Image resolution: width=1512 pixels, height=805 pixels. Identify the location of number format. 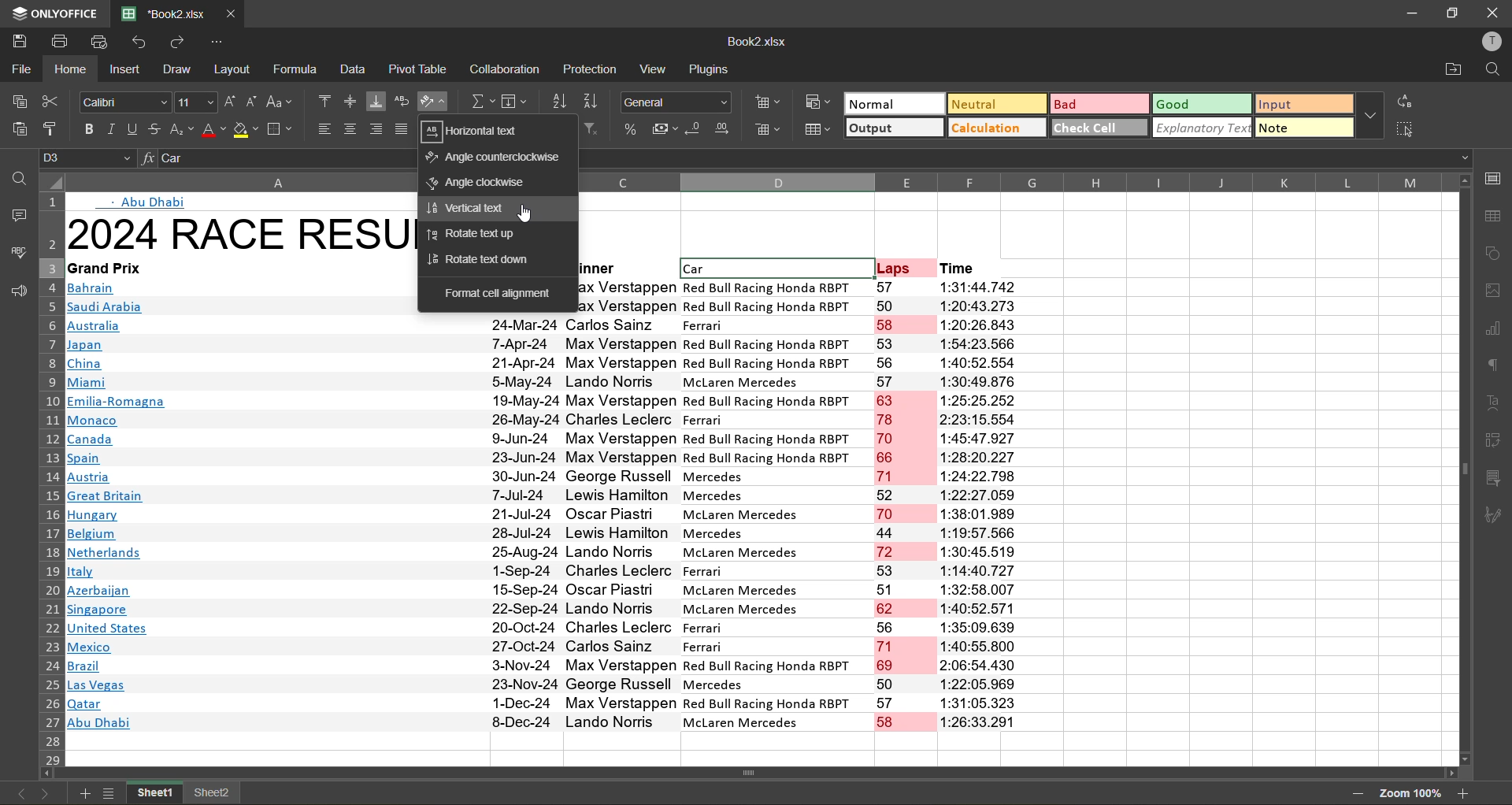
(676, 101).